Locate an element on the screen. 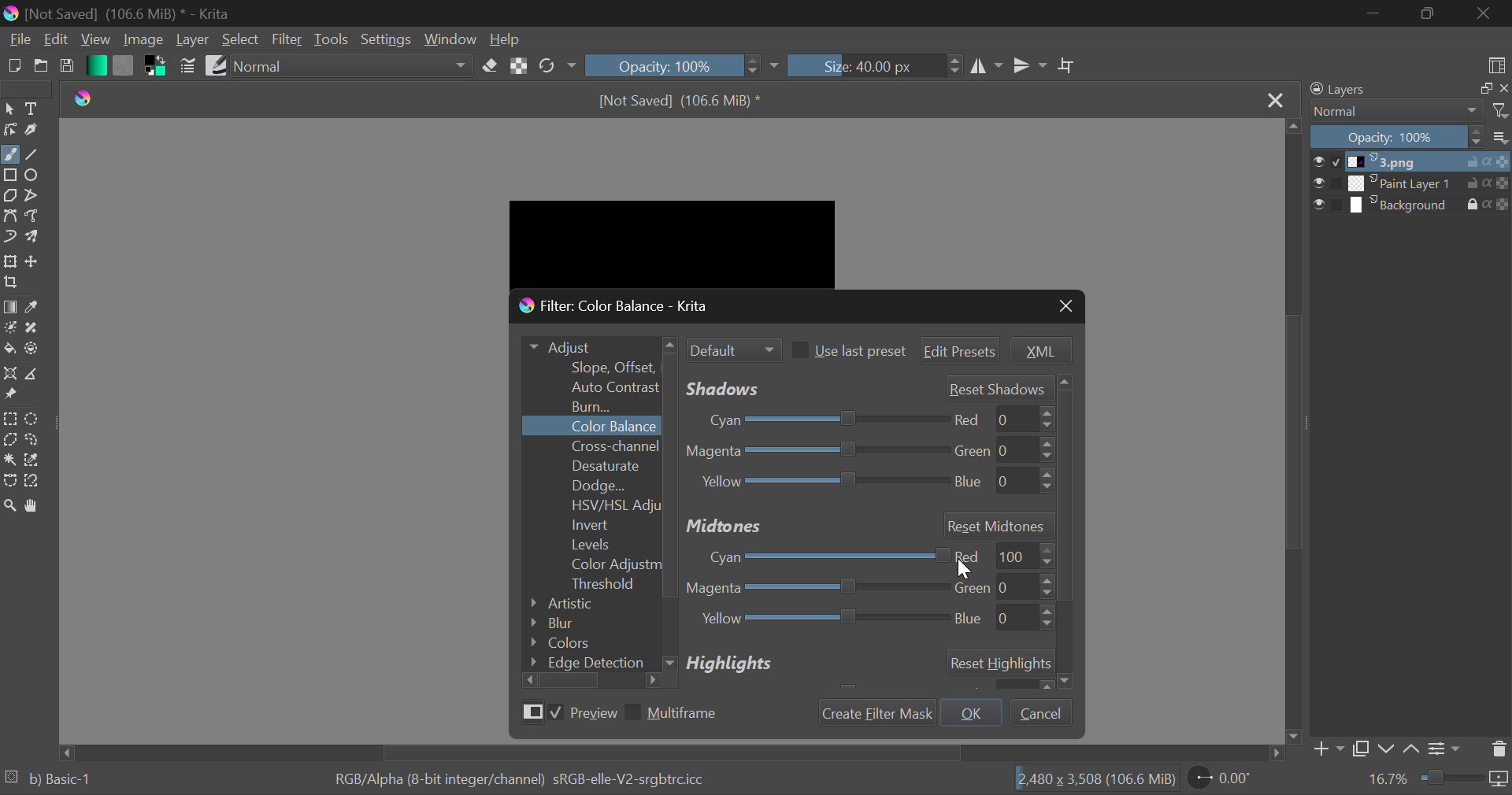 This screenshot has height=795, width=1512. Enclose and Fill is located at coordinates (33, 349).